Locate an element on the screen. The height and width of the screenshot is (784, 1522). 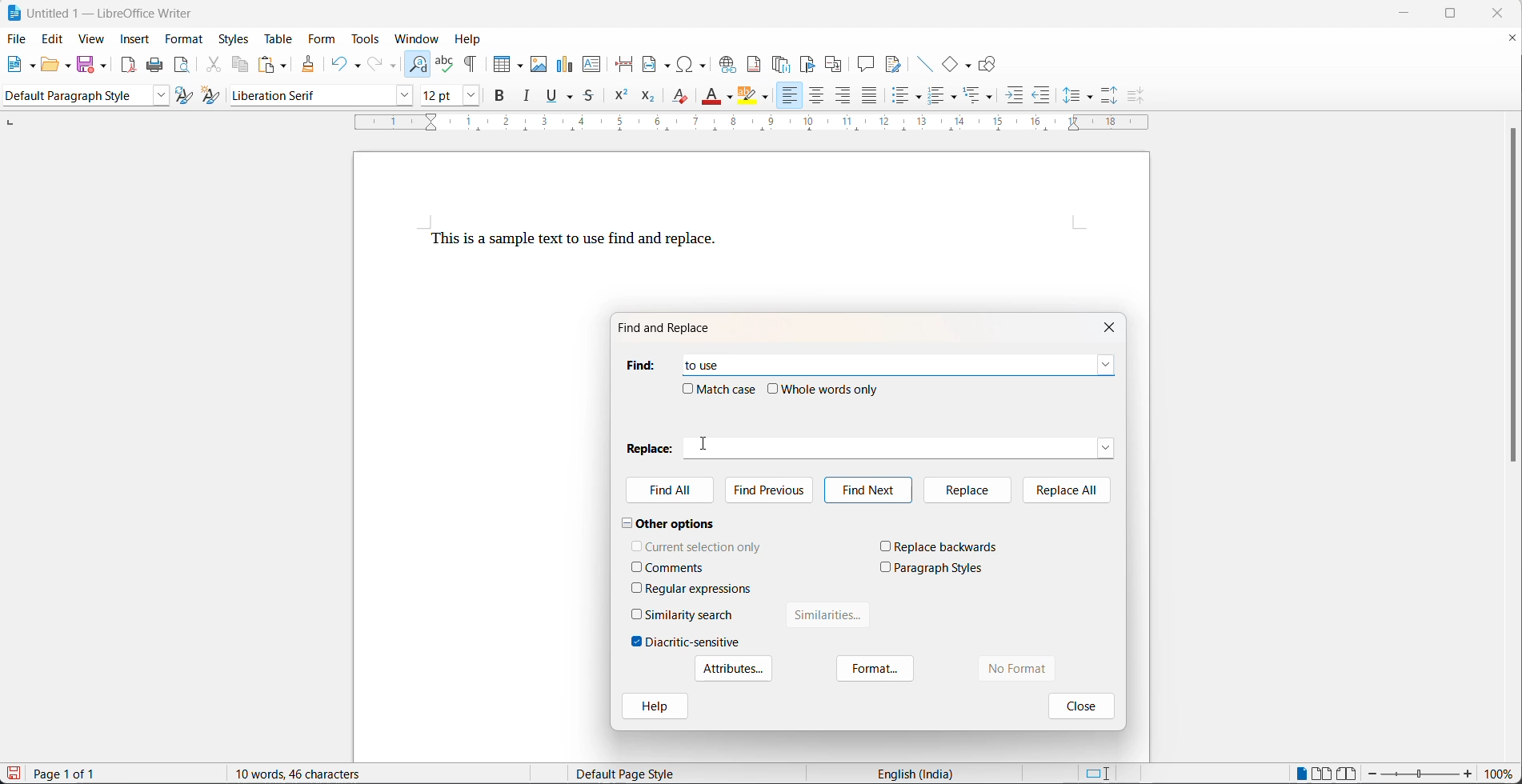
current selection only is located at coordinates (704, 546).